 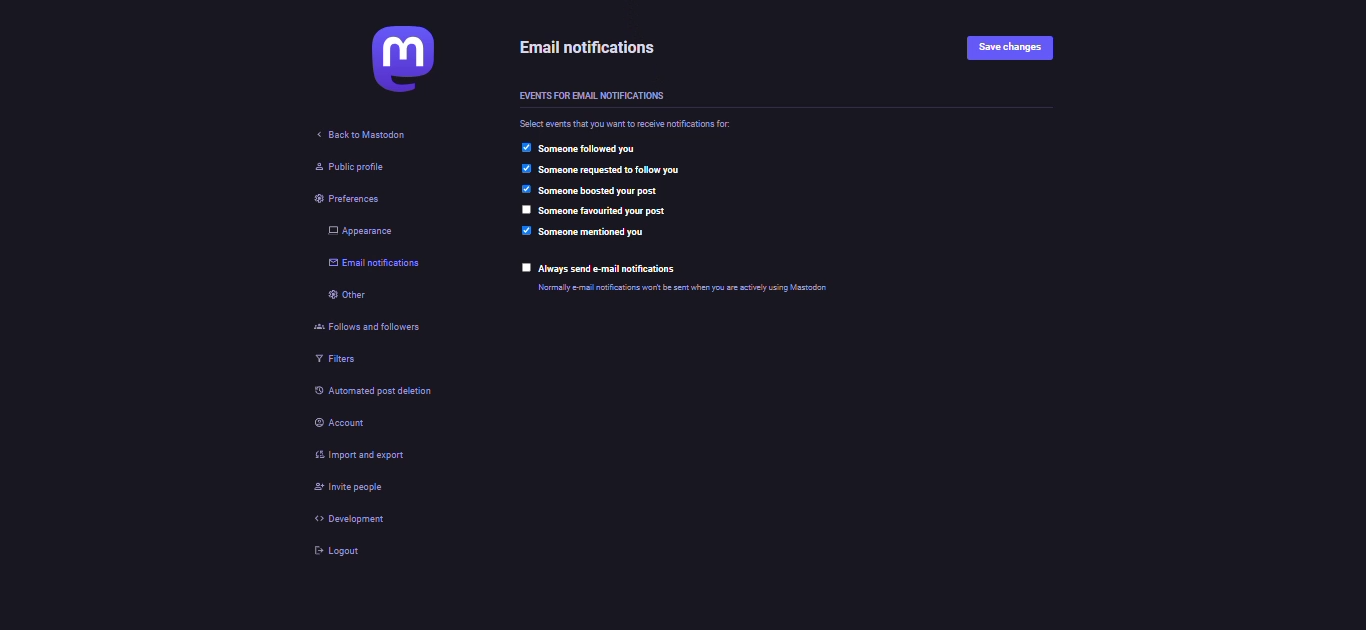 What do you see at coordinates (528, 209) in the screenshot?
I see `click to enable` at bounding box center [528, 209].